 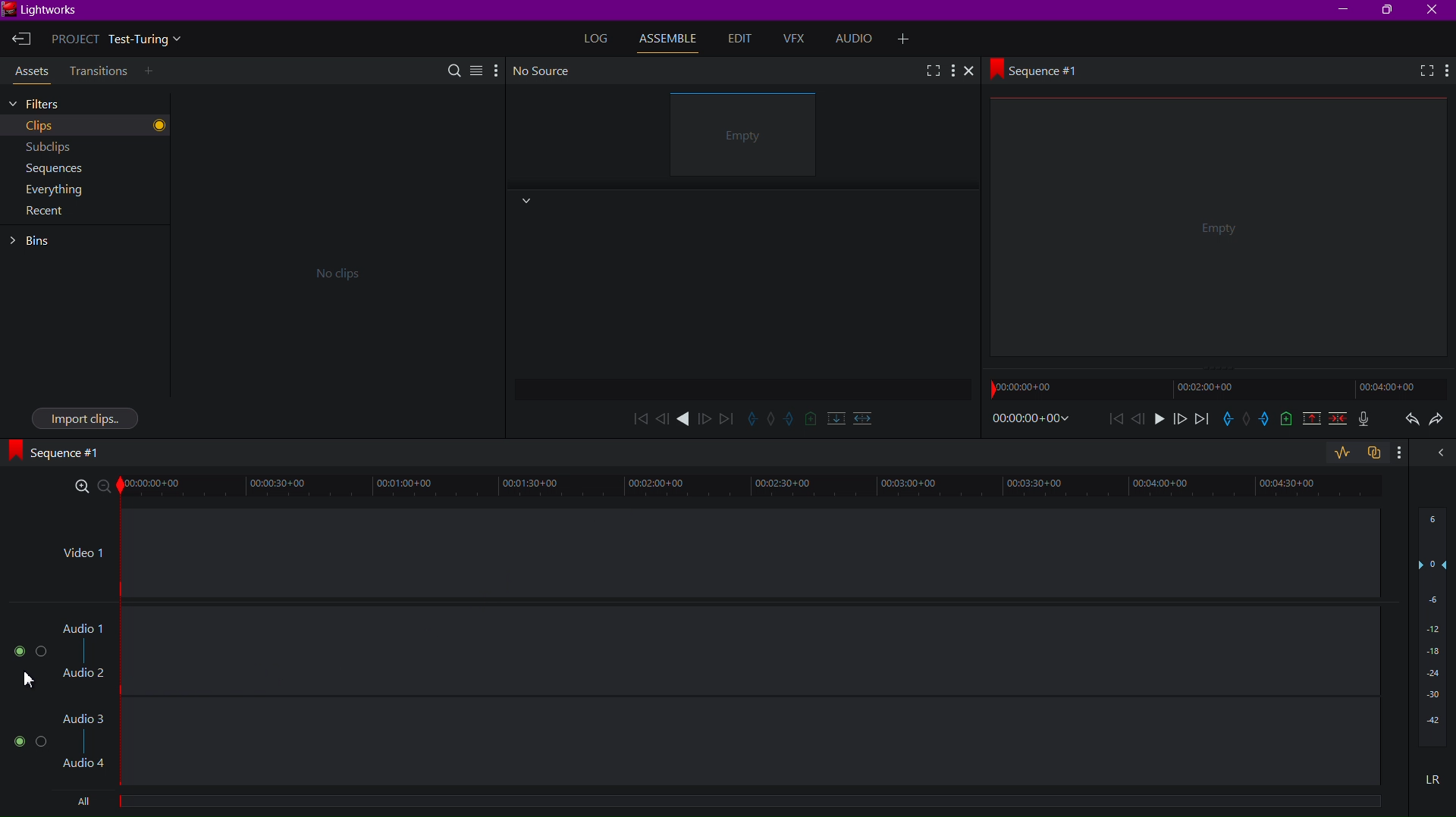 I want to click on Fullscreen, so click(x=931, y=70).